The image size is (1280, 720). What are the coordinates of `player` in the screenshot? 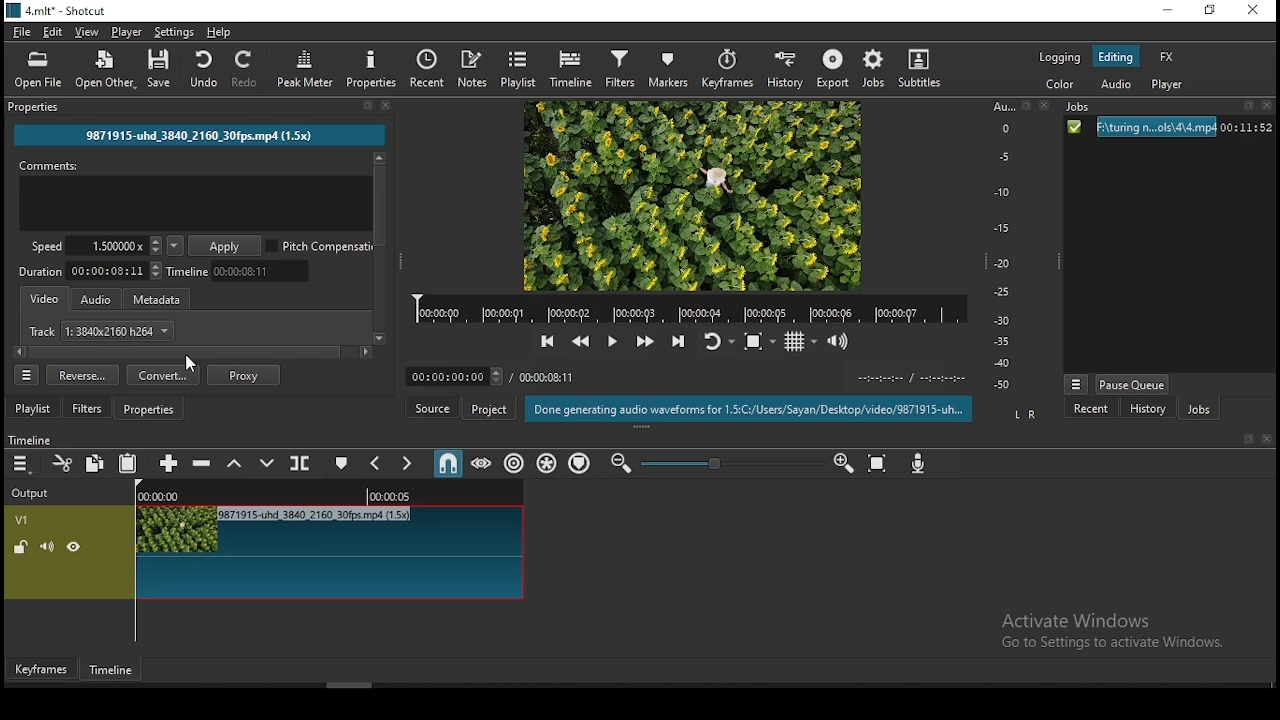 It's located at (126, 31).